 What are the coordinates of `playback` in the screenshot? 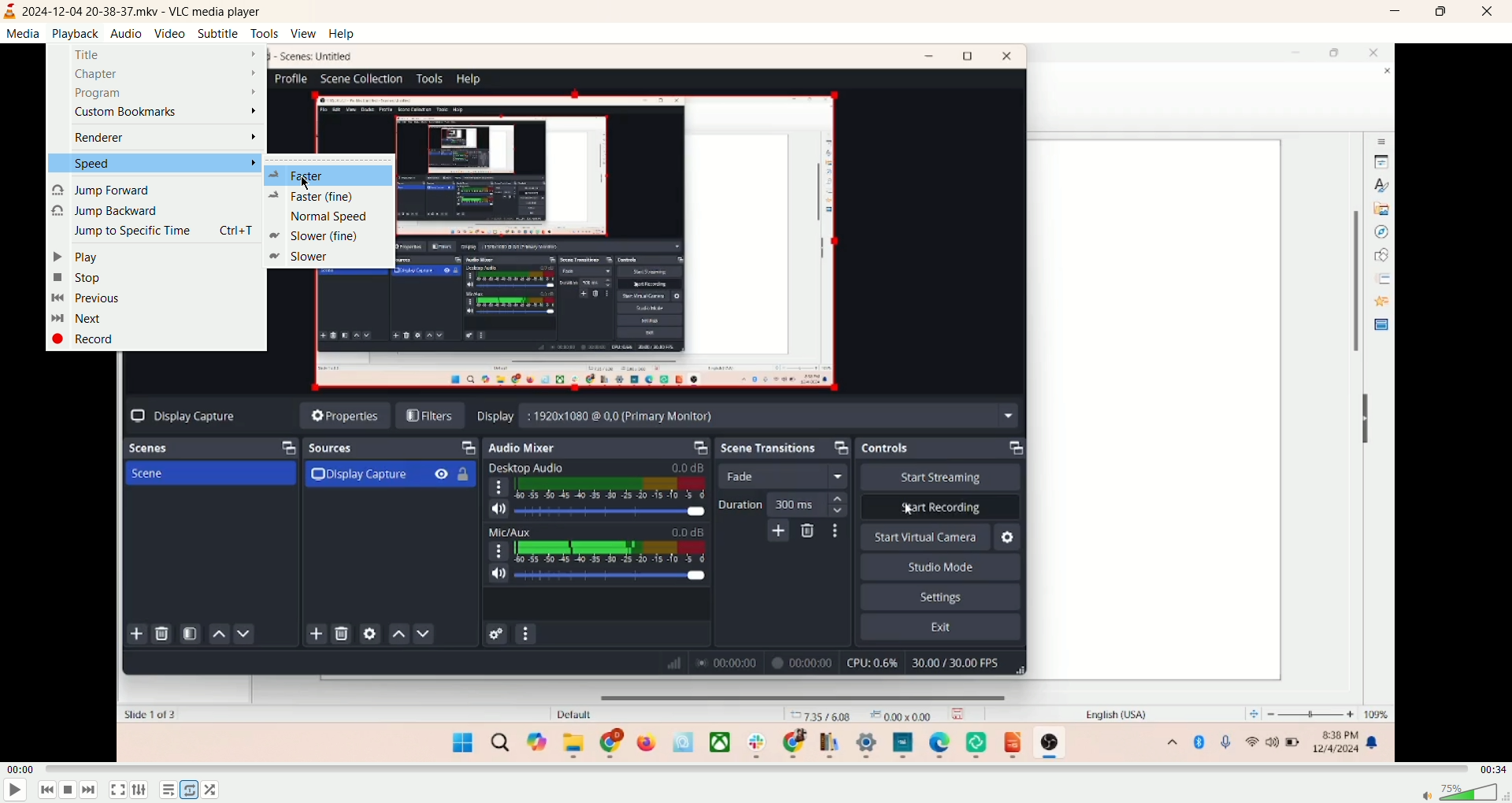 It's located at (75, 33).